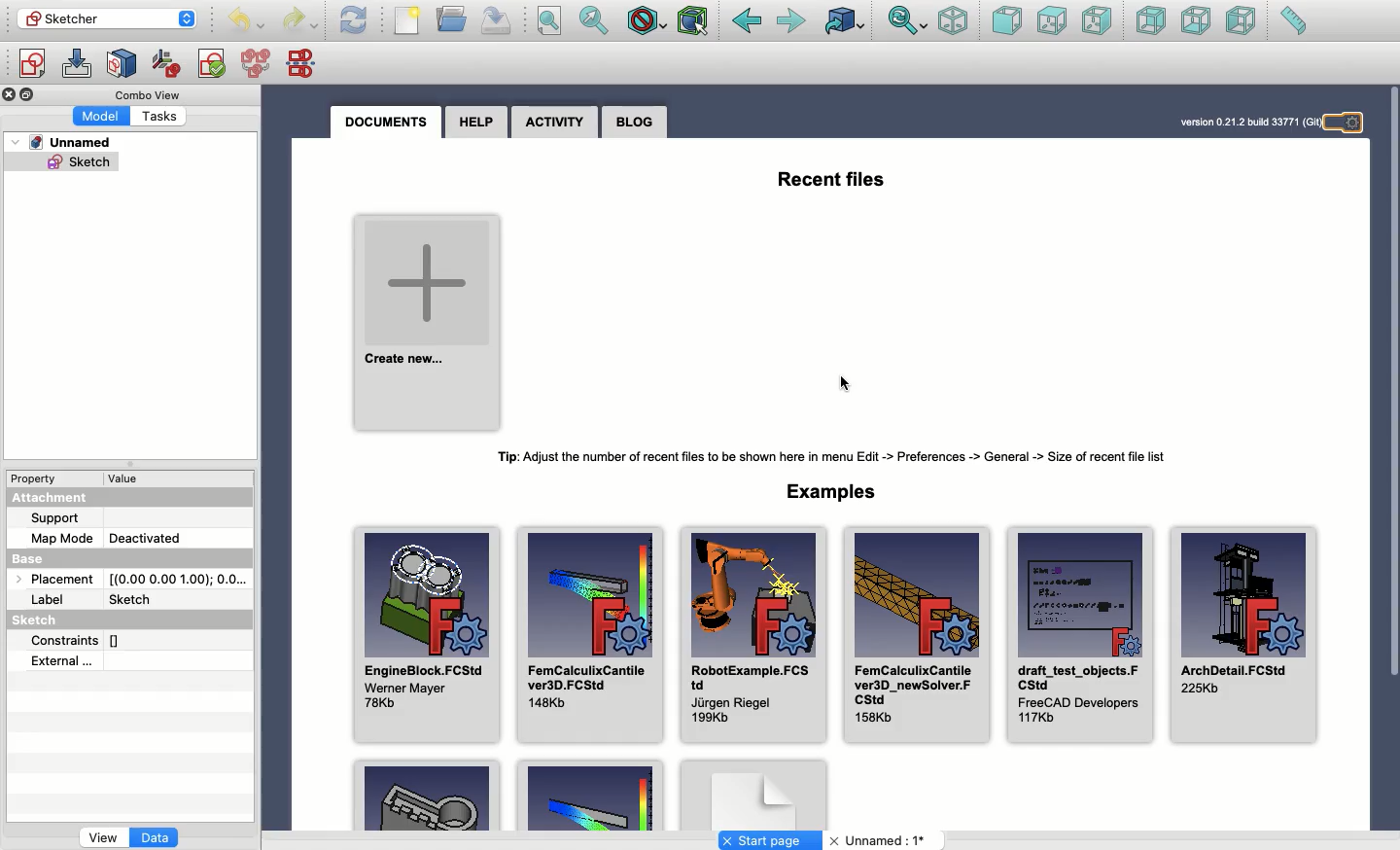 This screenshot has width=1400, height=850. What do you see at coordinates (34, 560) in the screenshot?
I see `Base` at bounding box center [34, 560].